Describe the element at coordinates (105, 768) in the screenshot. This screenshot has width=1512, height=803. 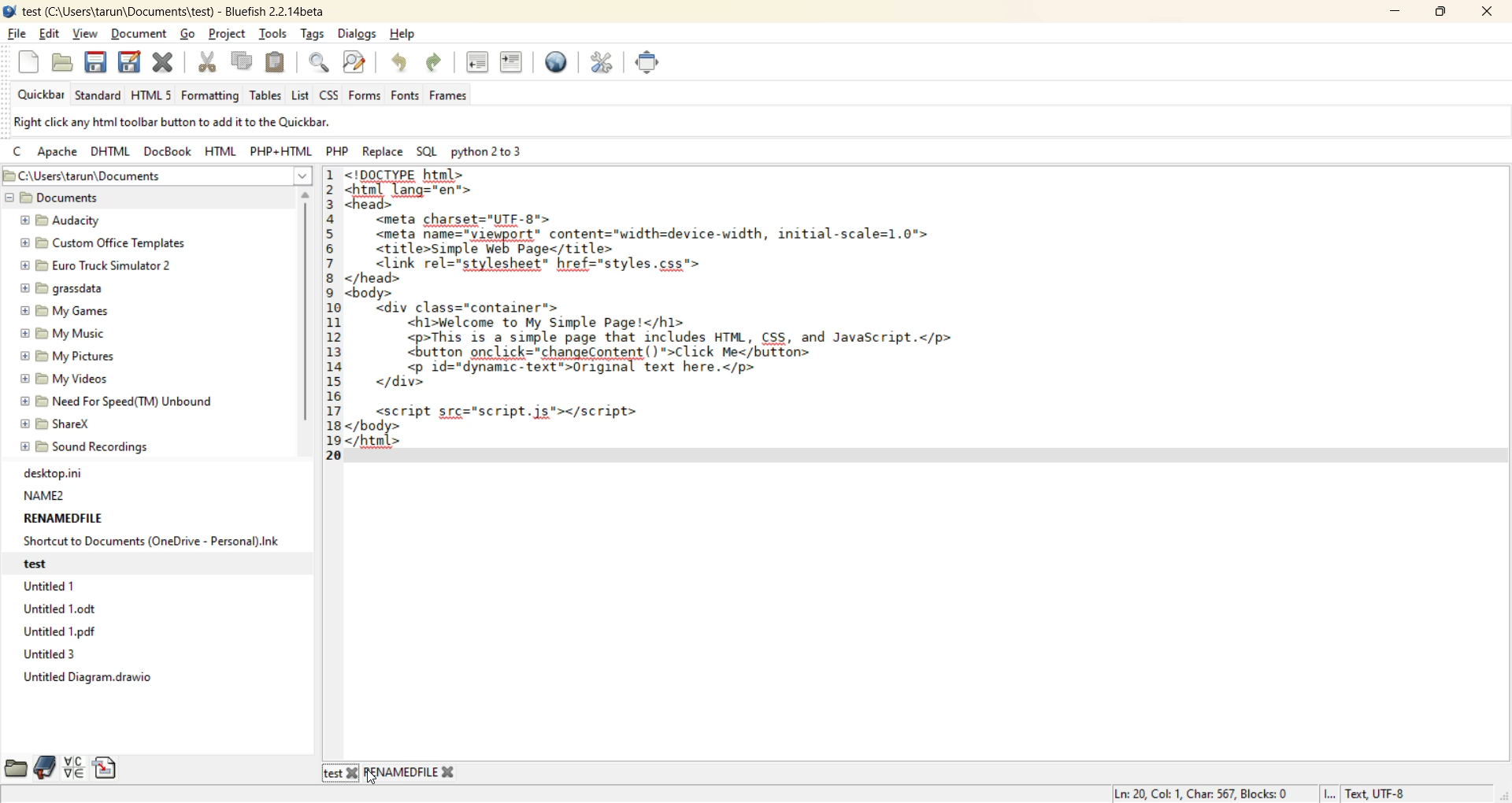
I see `snippets` at that location.